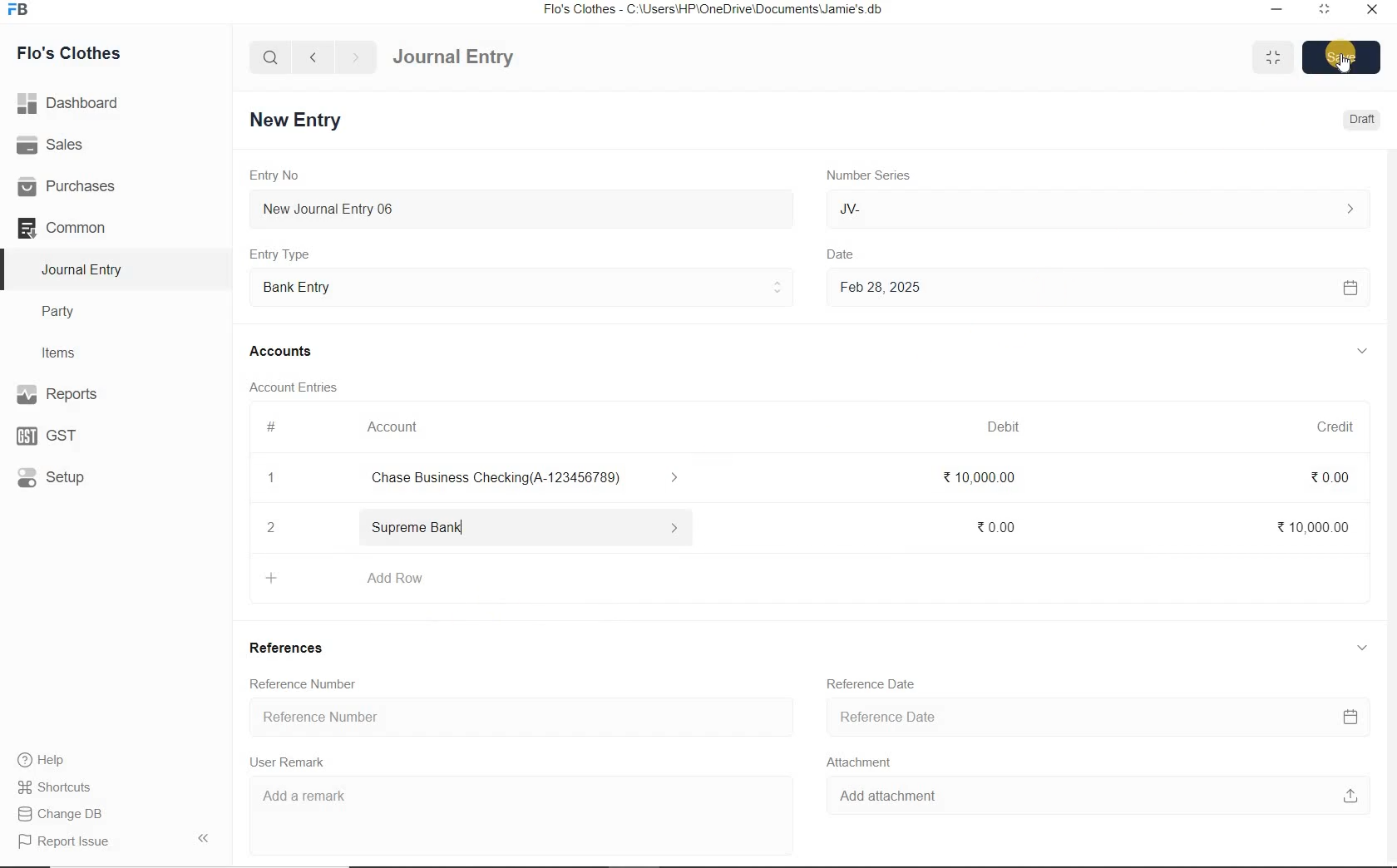 The height and width of the screenshot is (868, 1397). What do you see at coordinates (1342, 56) in the screenshot?
I see `Save` at bounding box center [1342, 56].